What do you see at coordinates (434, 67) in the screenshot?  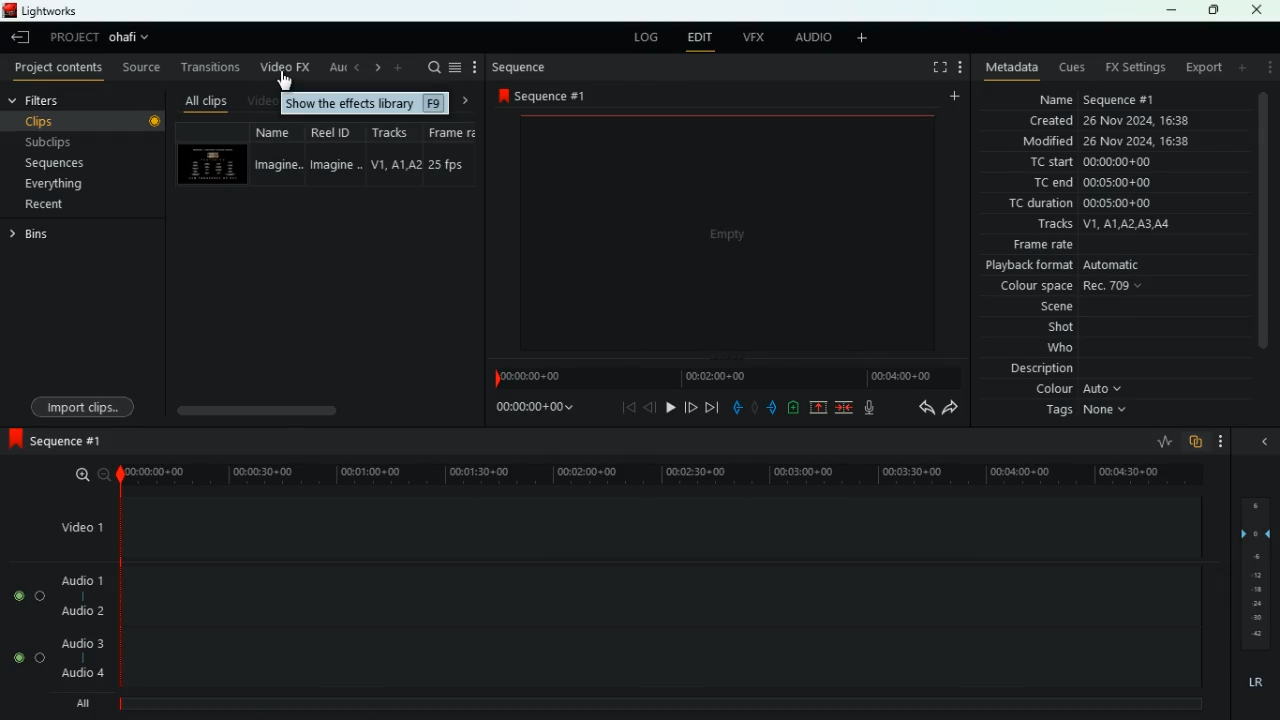 I see `search` at bounding box center [434, 67].